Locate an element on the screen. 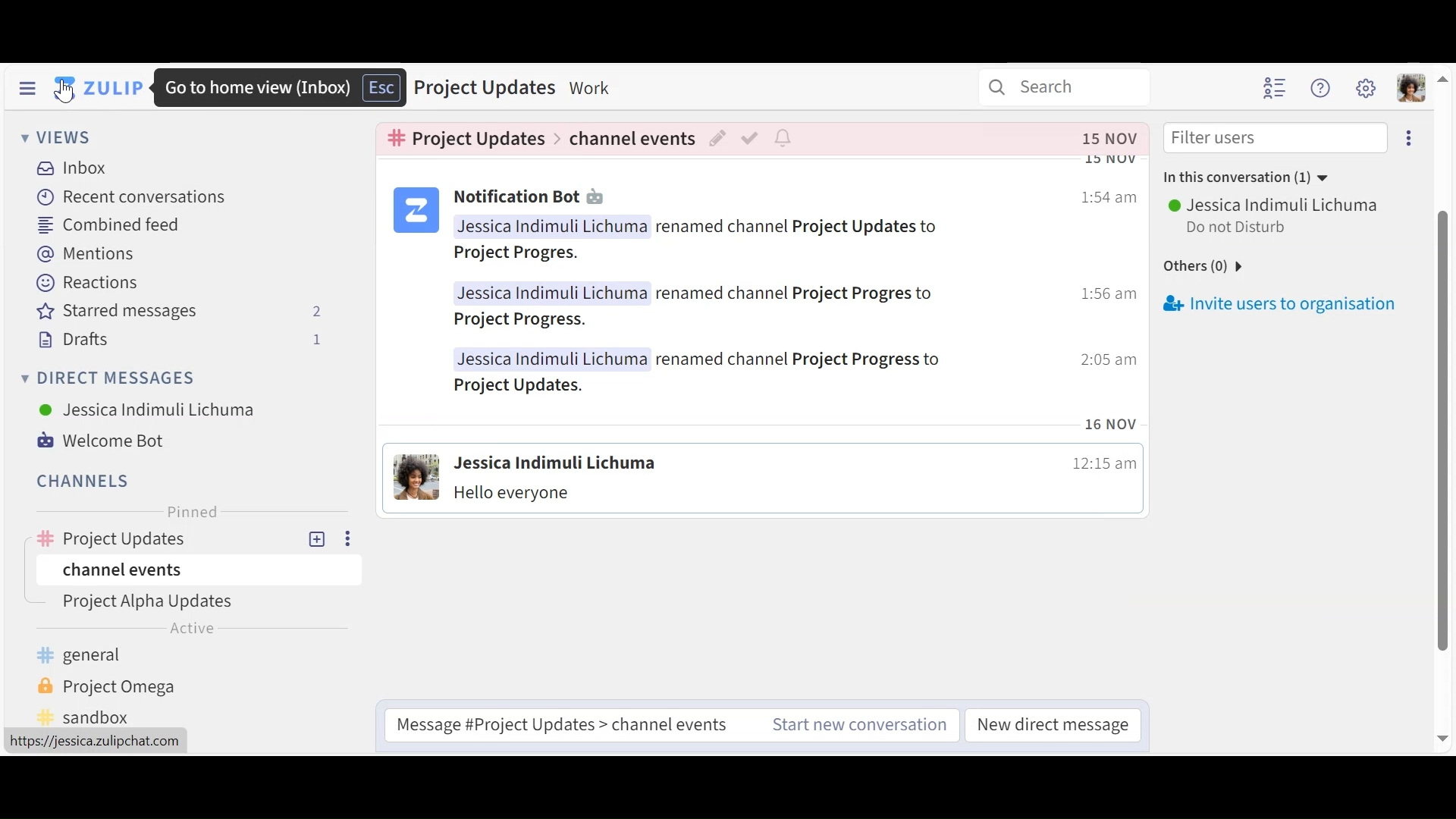 The height and width of the screenshot is (819, 1456). Hide user list is located at coordinates (1273, 87).